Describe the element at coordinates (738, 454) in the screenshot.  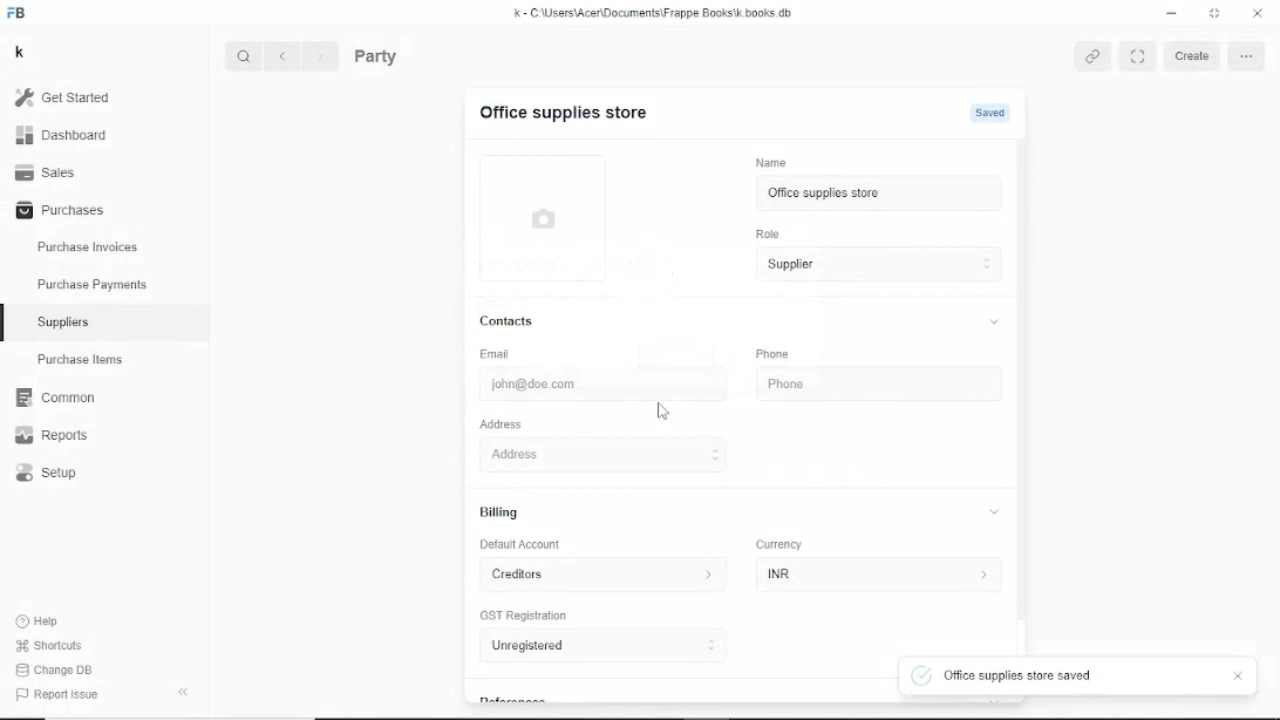
I see `Address` at that location.